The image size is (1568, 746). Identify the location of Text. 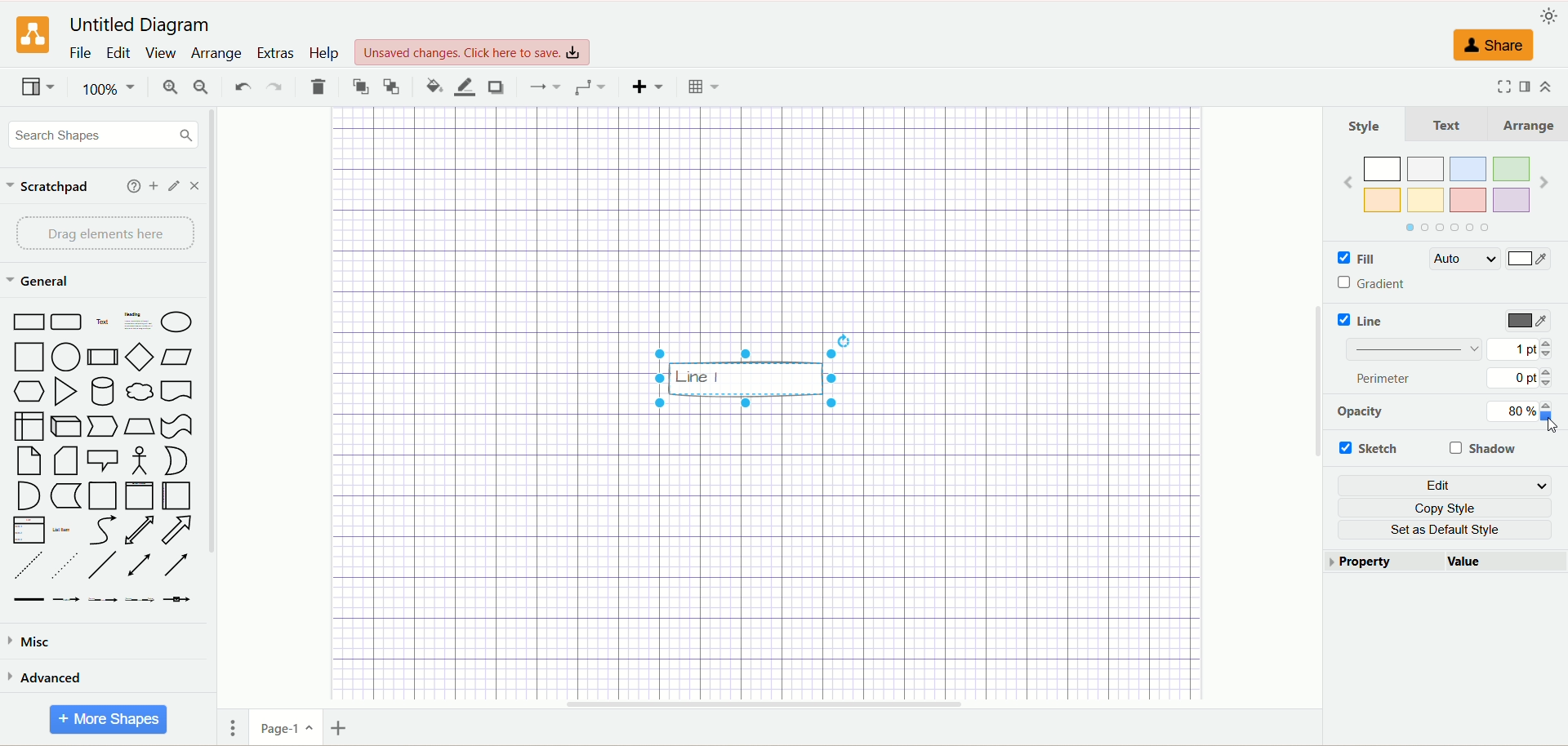
(1445, 123).